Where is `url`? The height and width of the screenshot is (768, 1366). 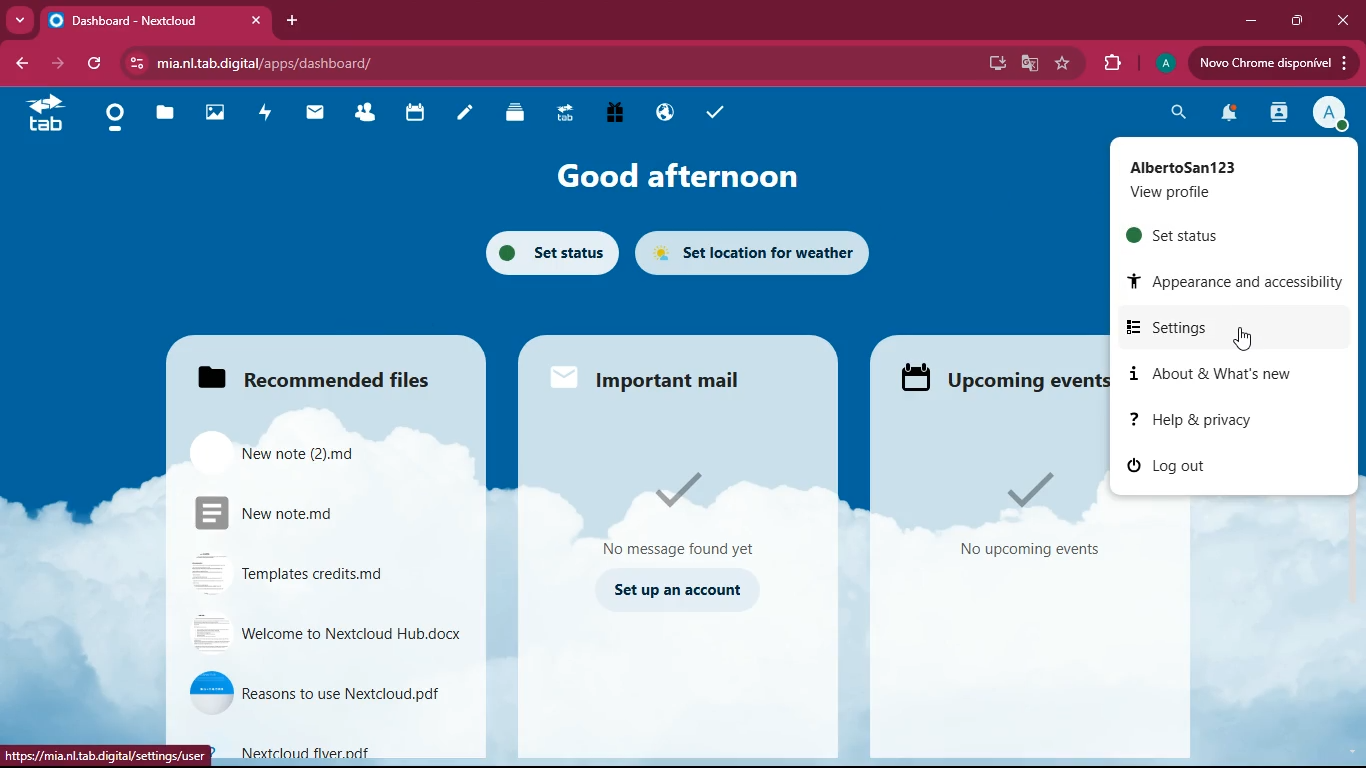 url is located at coordinates (306, 62).